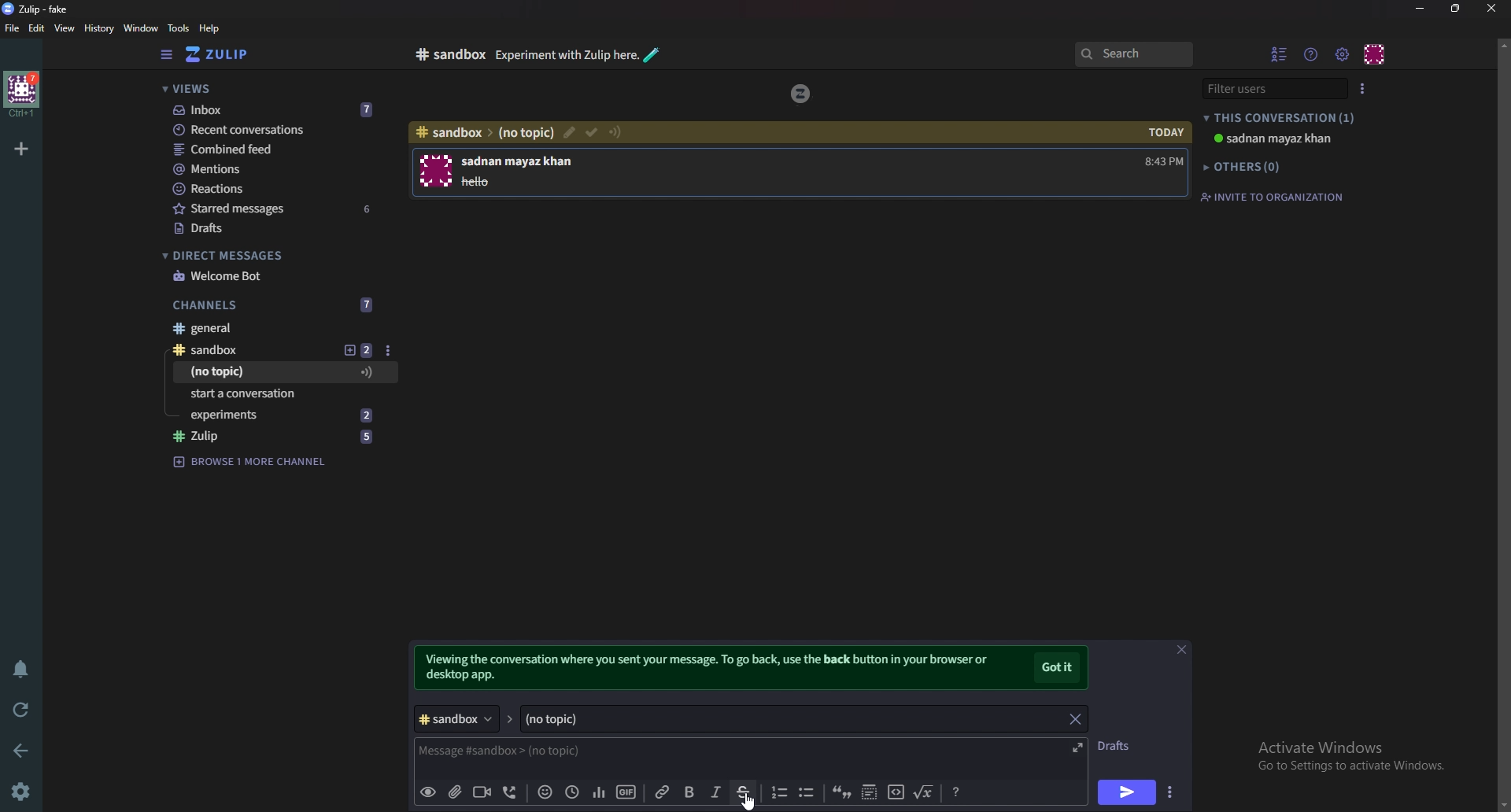 Image resolution: width=1511 pixels, height=812 pixels. I want to click on General, so click(279, 327).